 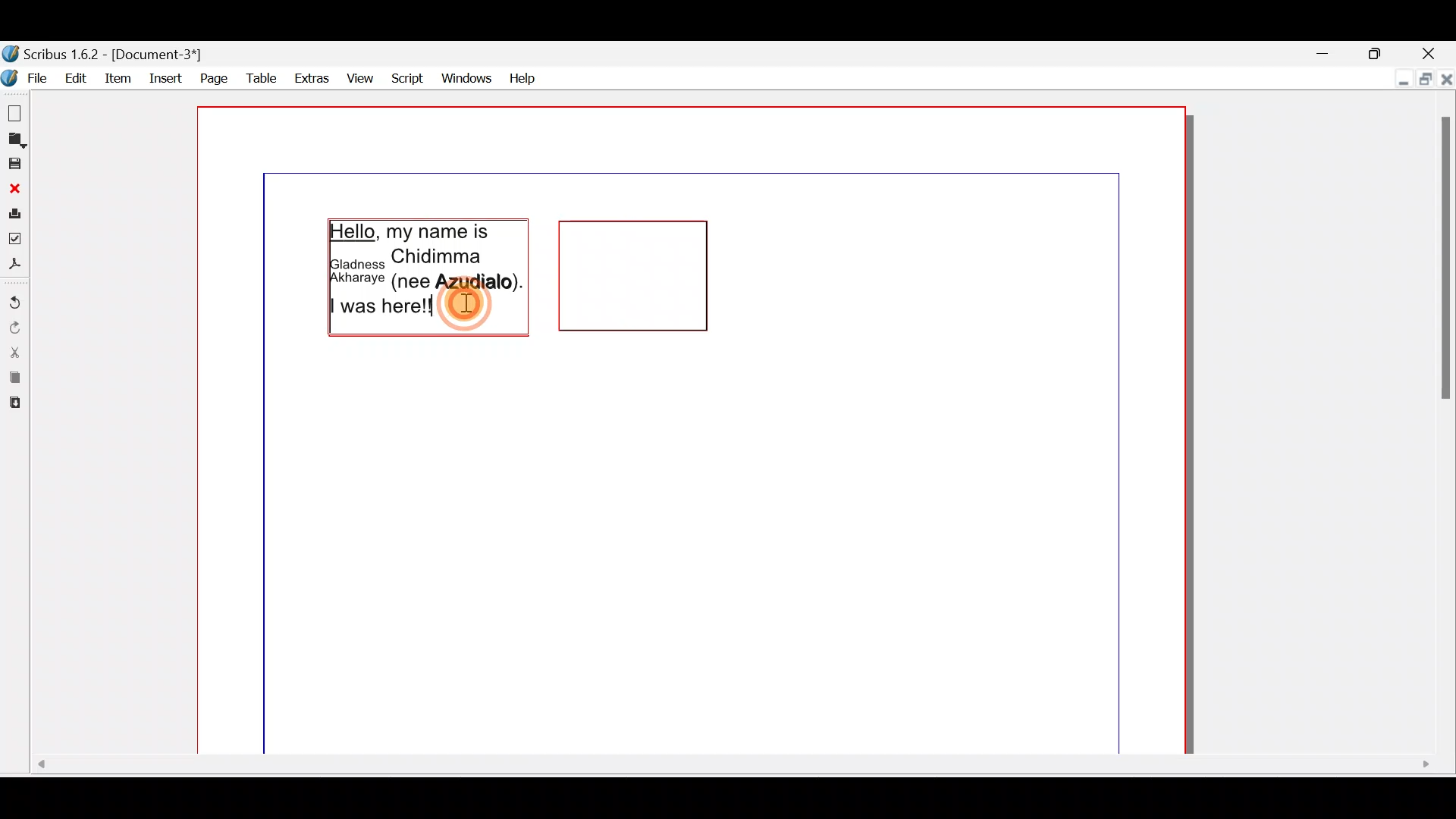 I want to click on Copy, so click(x=14, y=378).